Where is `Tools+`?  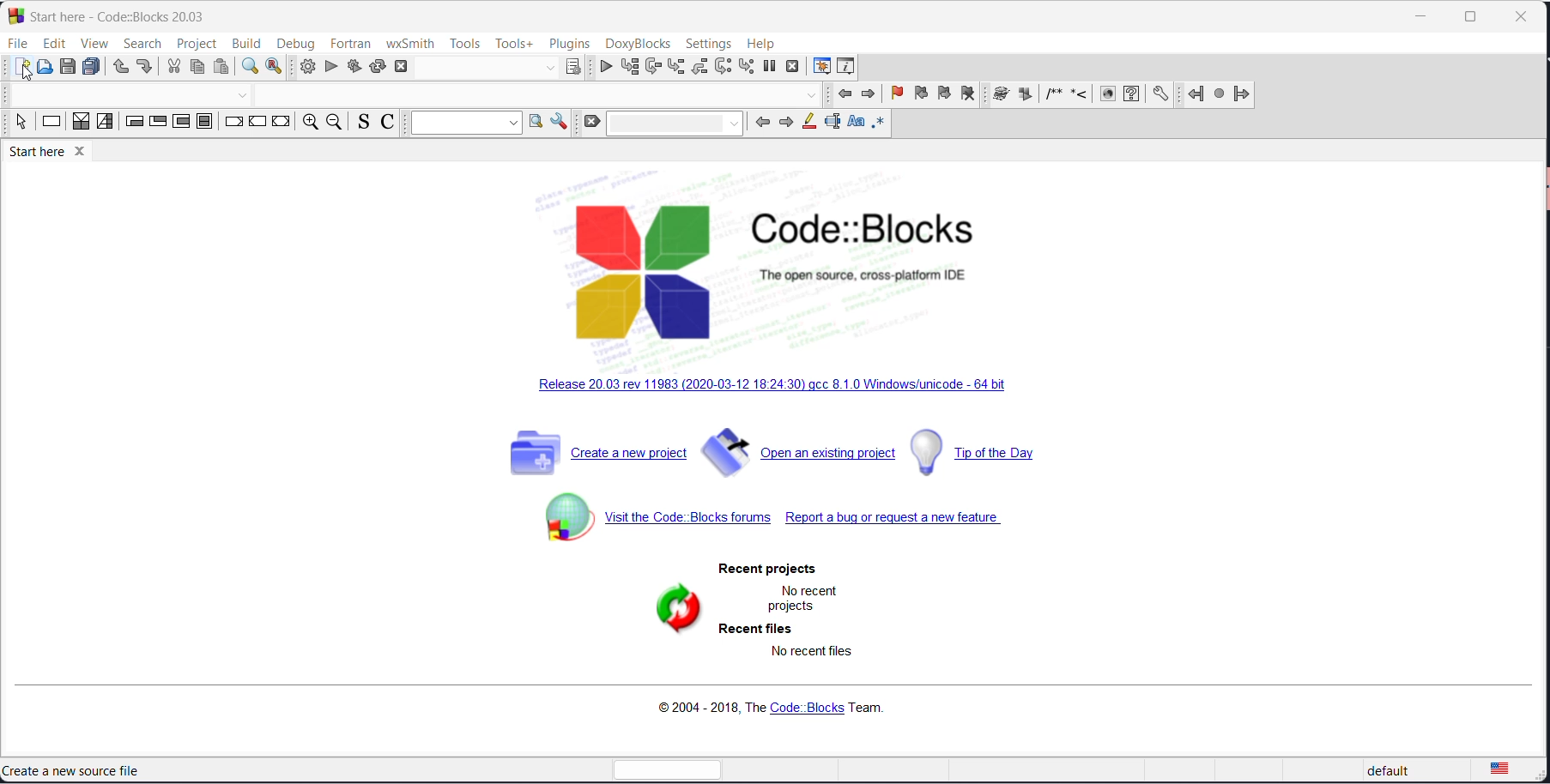
Tools+ is located at coordinates (514, 44).